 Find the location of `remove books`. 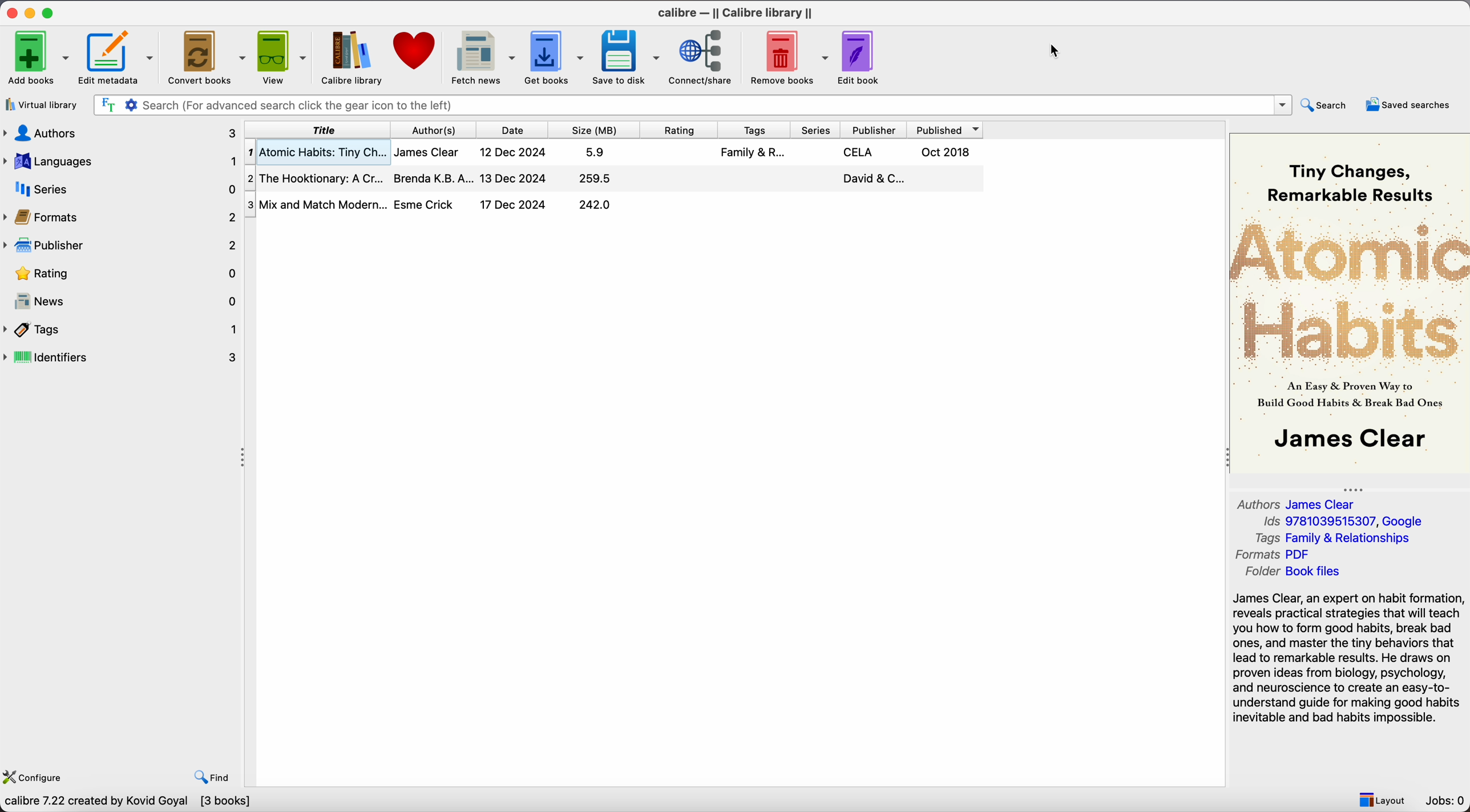

remove books is located at coordinates (788, 56).